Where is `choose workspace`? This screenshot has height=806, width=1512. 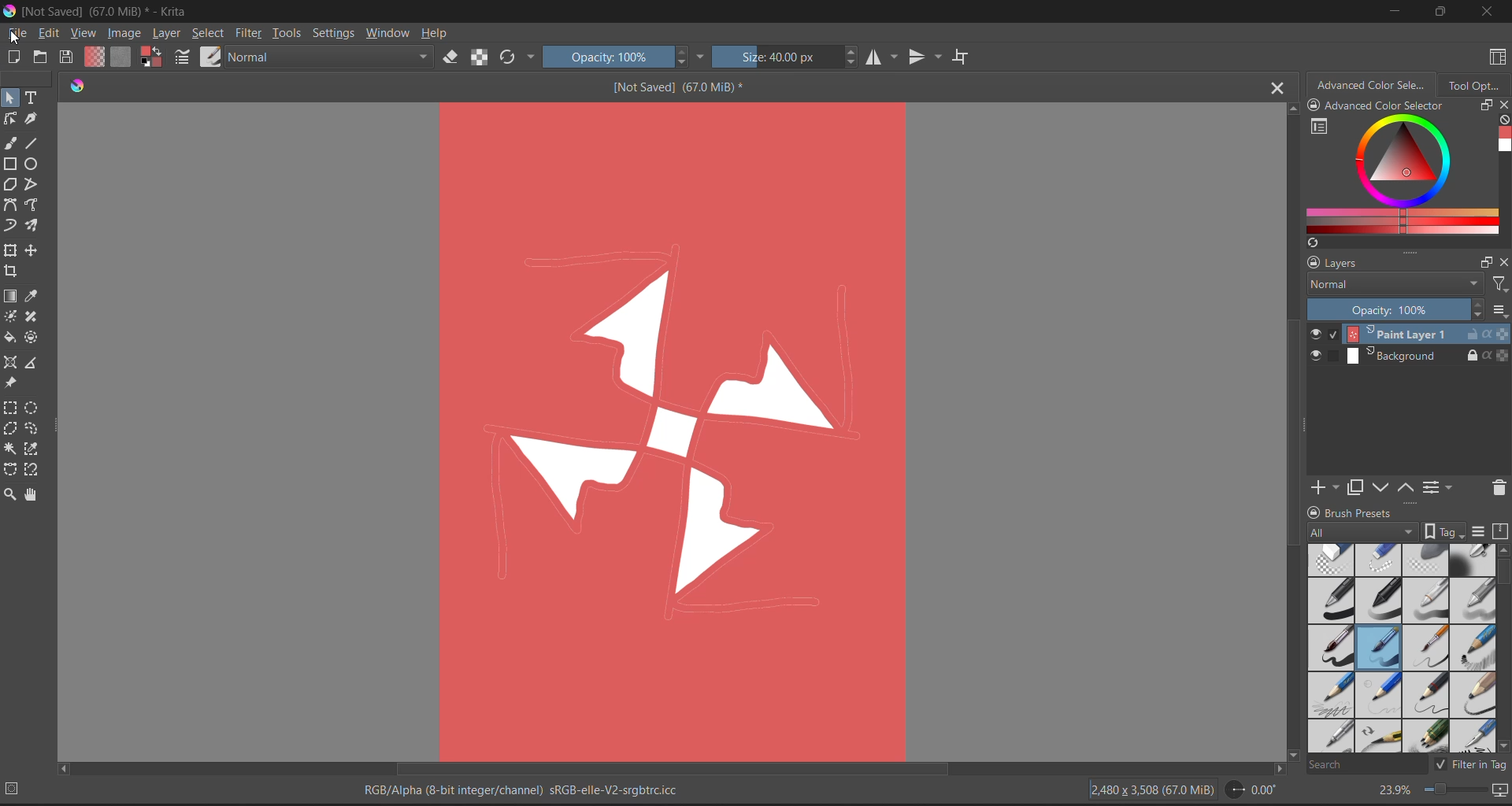
choose workspace is located at coordinates (1499, 57).